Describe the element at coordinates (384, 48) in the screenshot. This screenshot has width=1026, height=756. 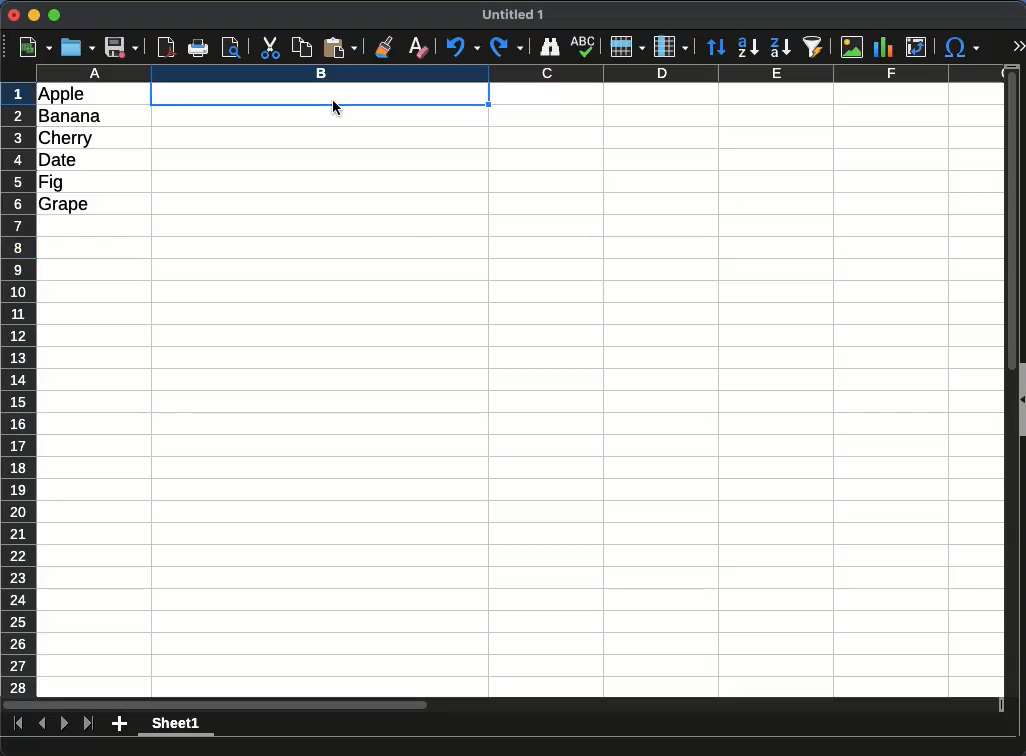
I see `clone formatting` at that location.